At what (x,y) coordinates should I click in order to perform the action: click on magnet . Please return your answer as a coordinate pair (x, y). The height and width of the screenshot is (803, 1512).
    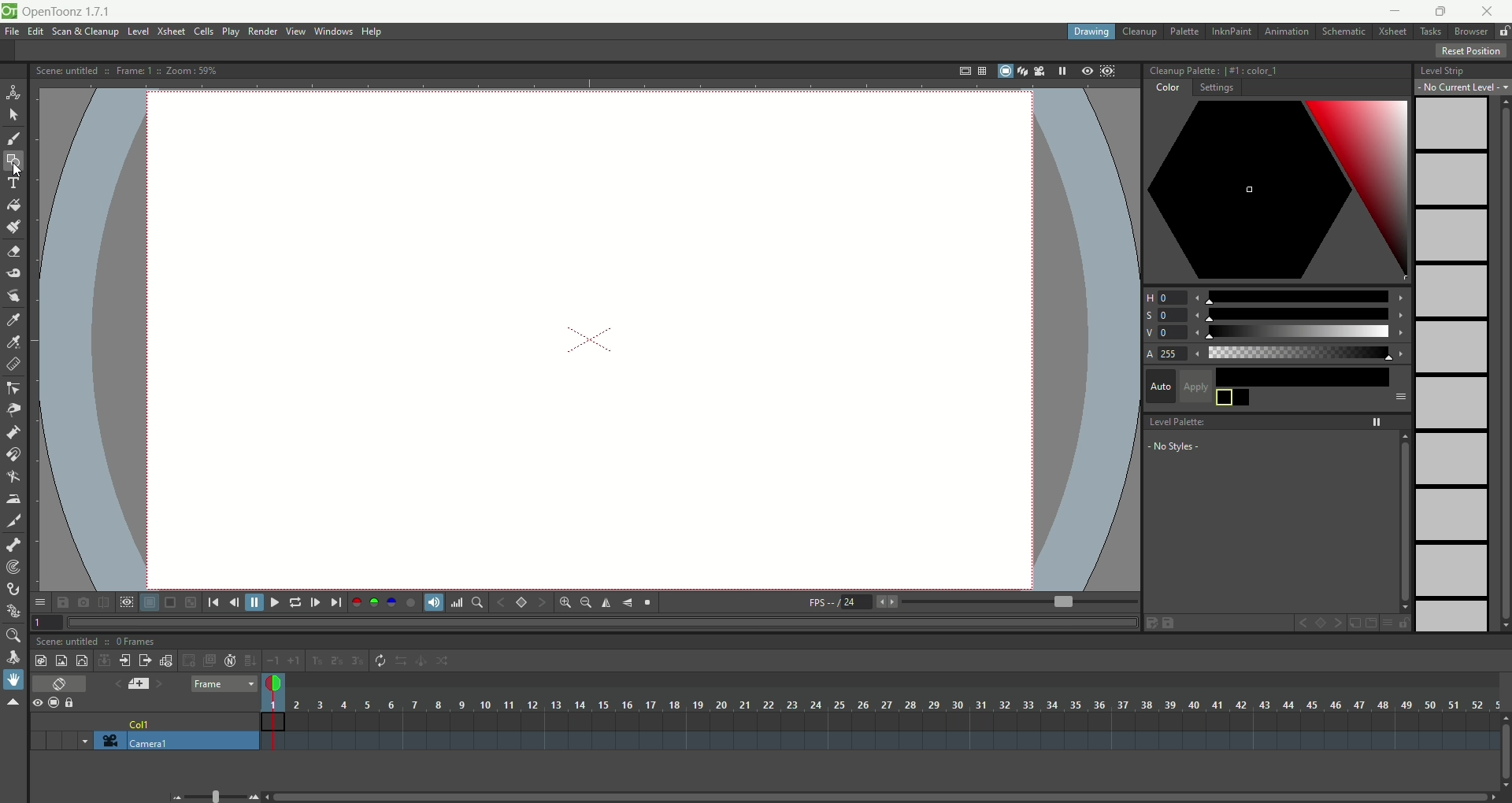
    Looking at the image, I should click on (14, 453).